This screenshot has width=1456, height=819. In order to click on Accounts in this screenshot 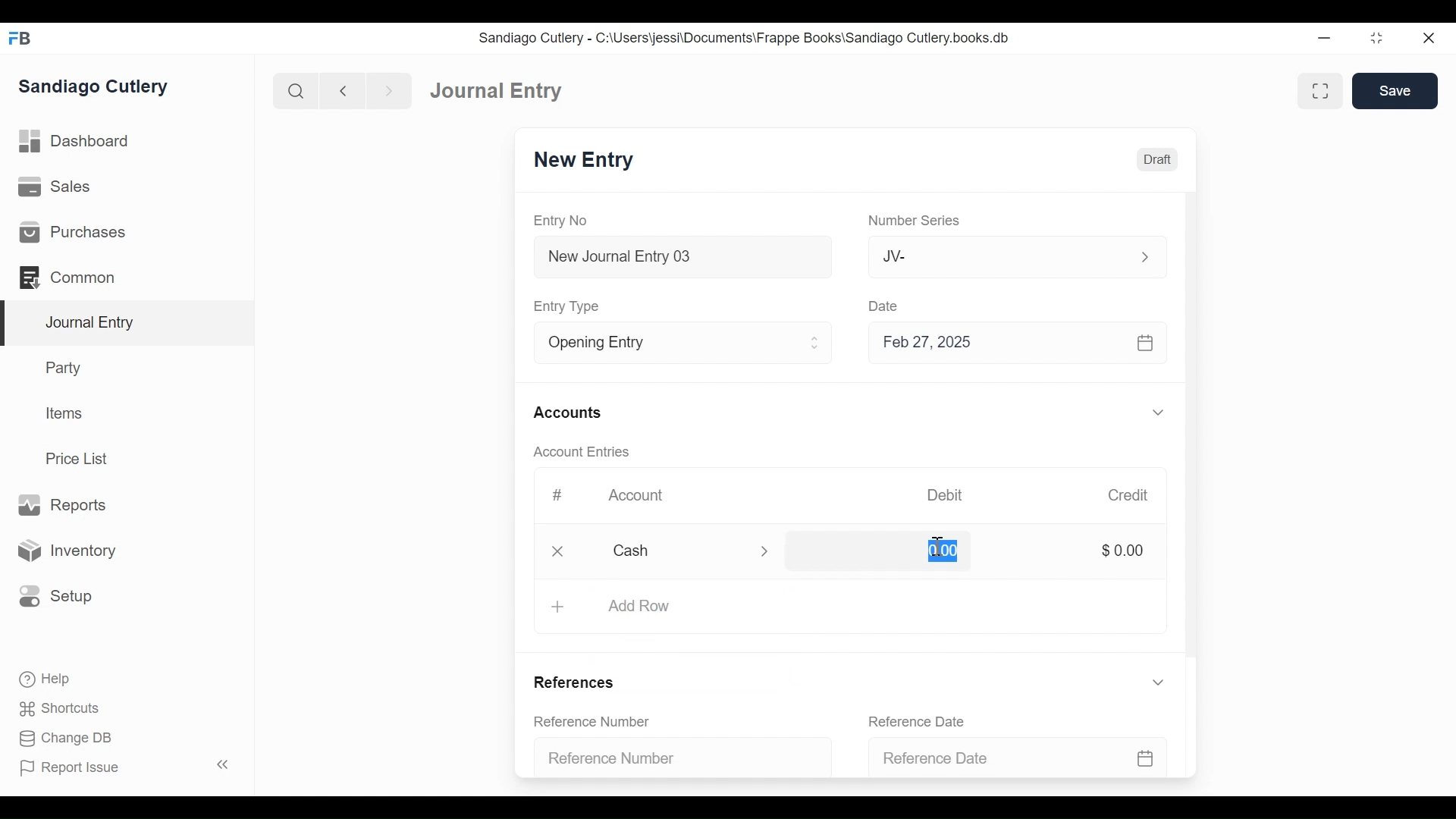, I will do `click(567, 413)`.